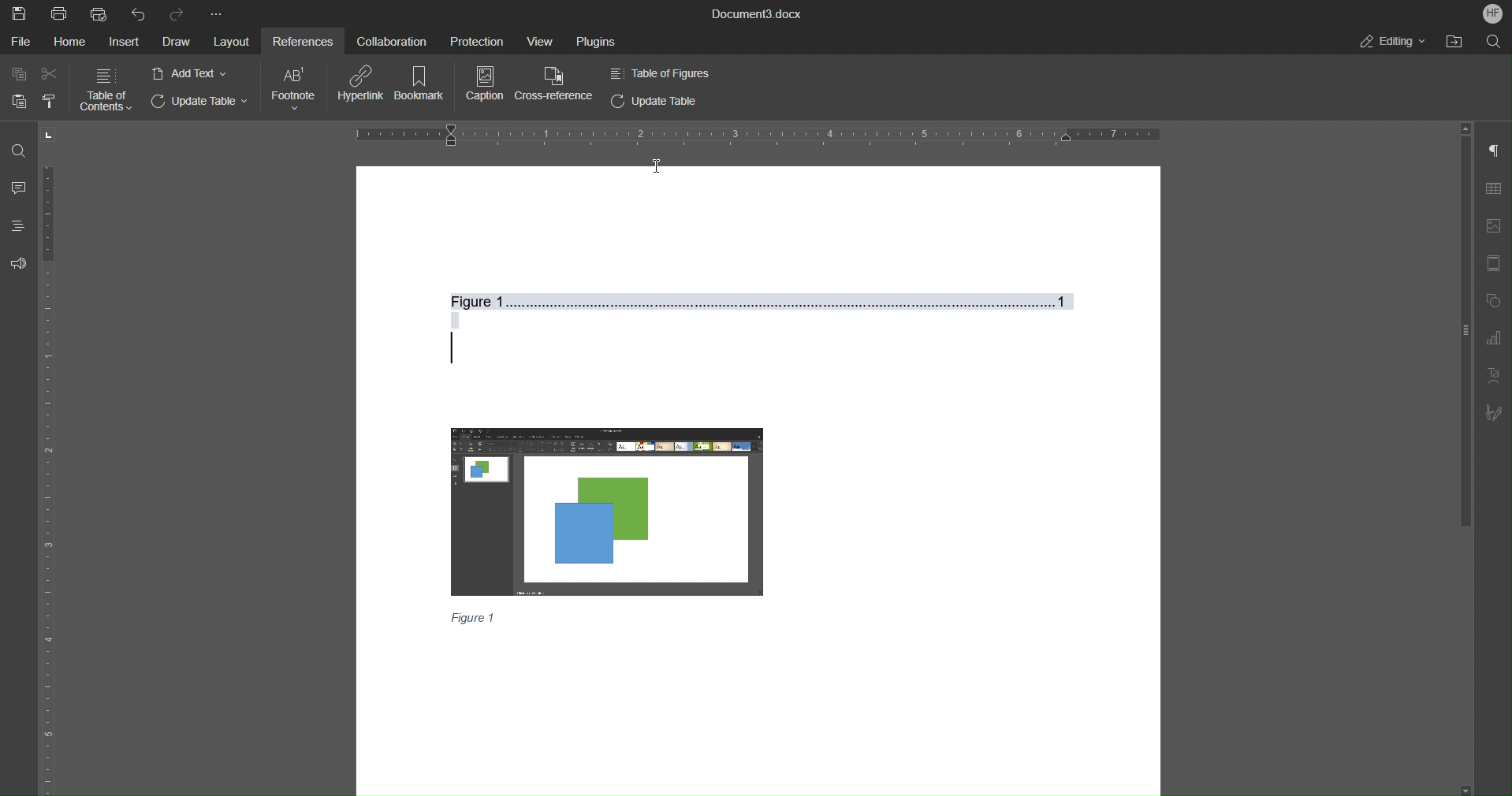  I want to click on Find, so click(18, 150).